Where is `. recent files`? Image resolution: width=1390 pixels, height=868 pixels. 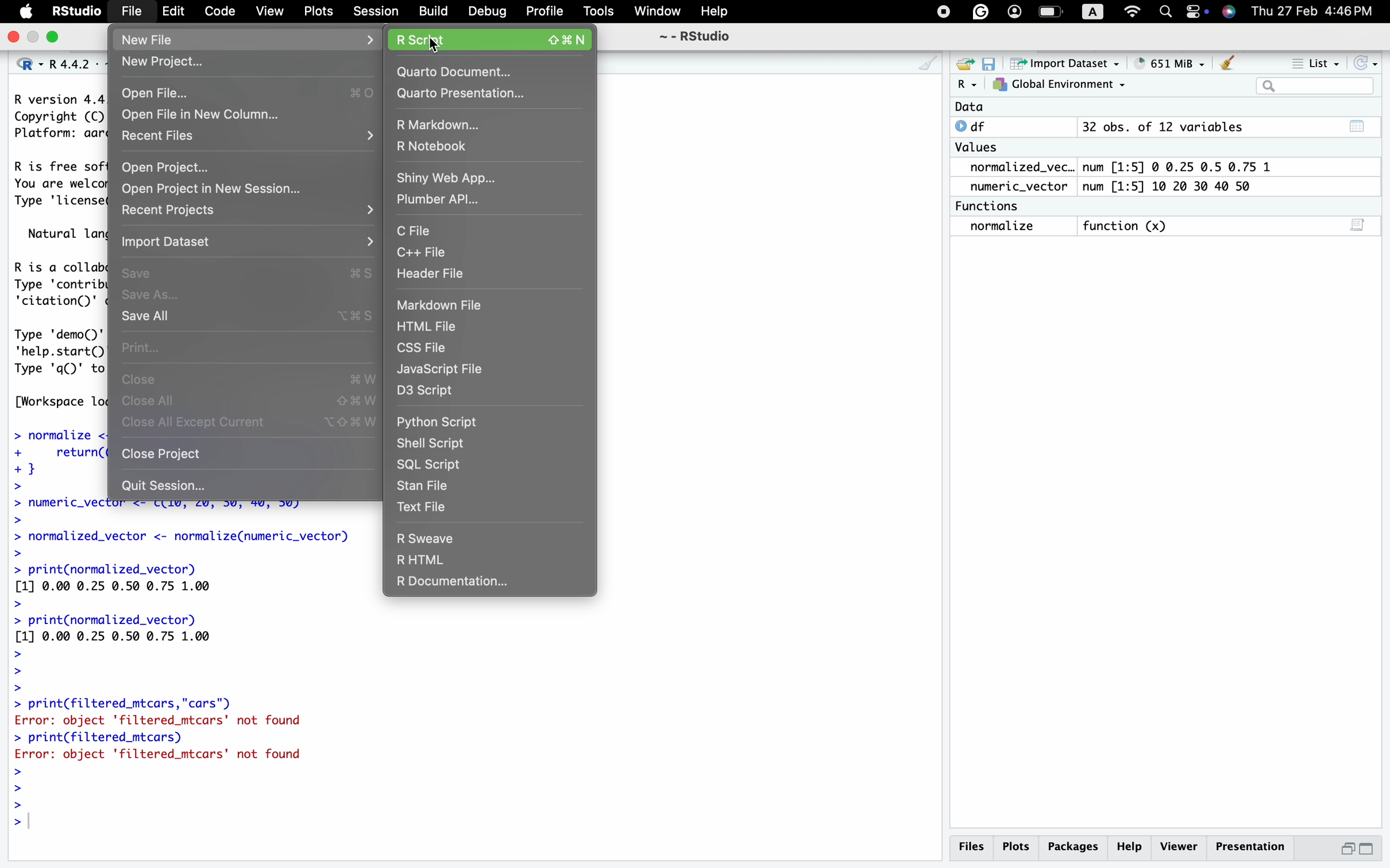 . recent files is located at coordinates (248, 139).